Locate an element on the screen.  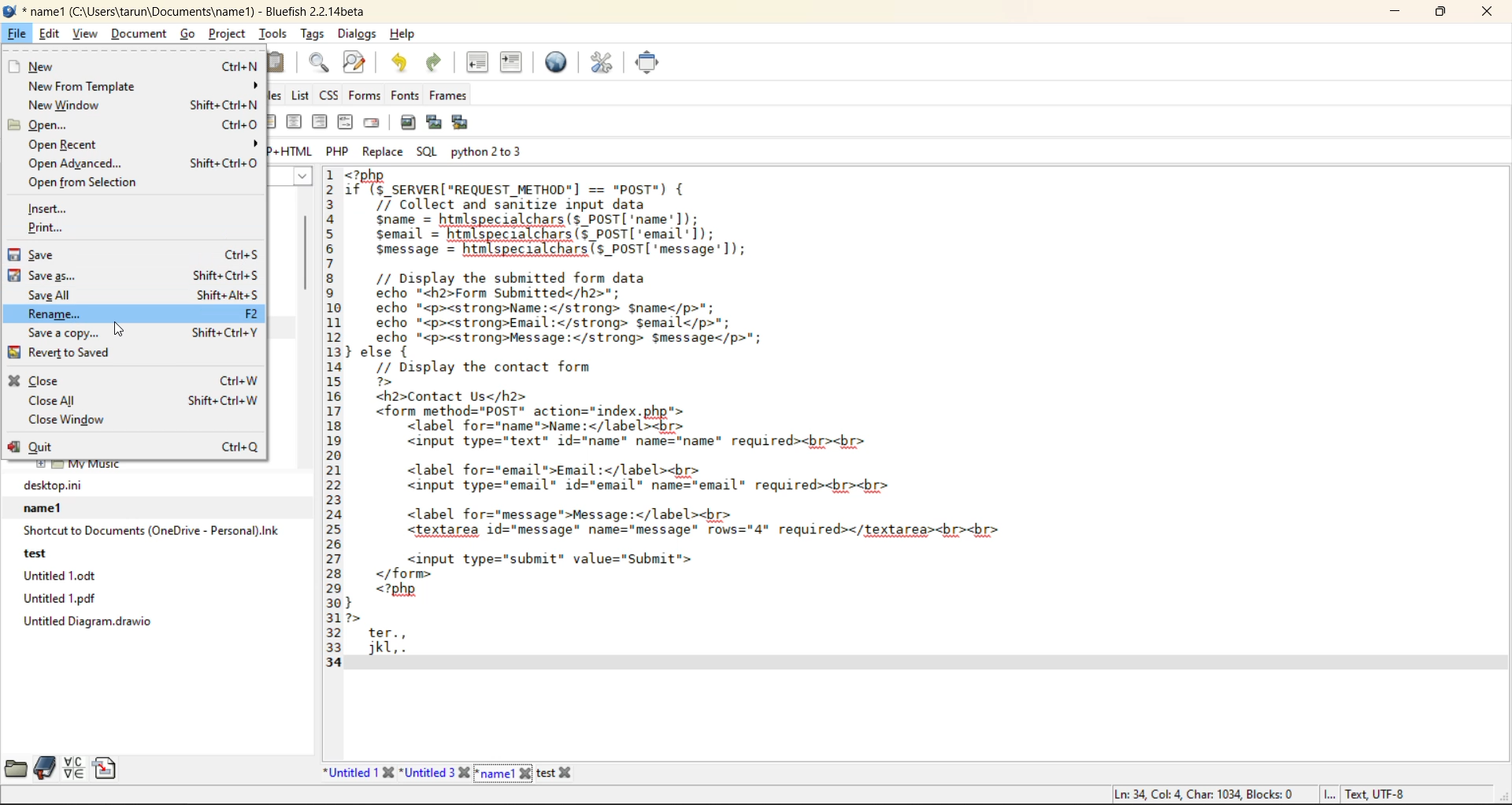
email is located at coordinates (374, 124).